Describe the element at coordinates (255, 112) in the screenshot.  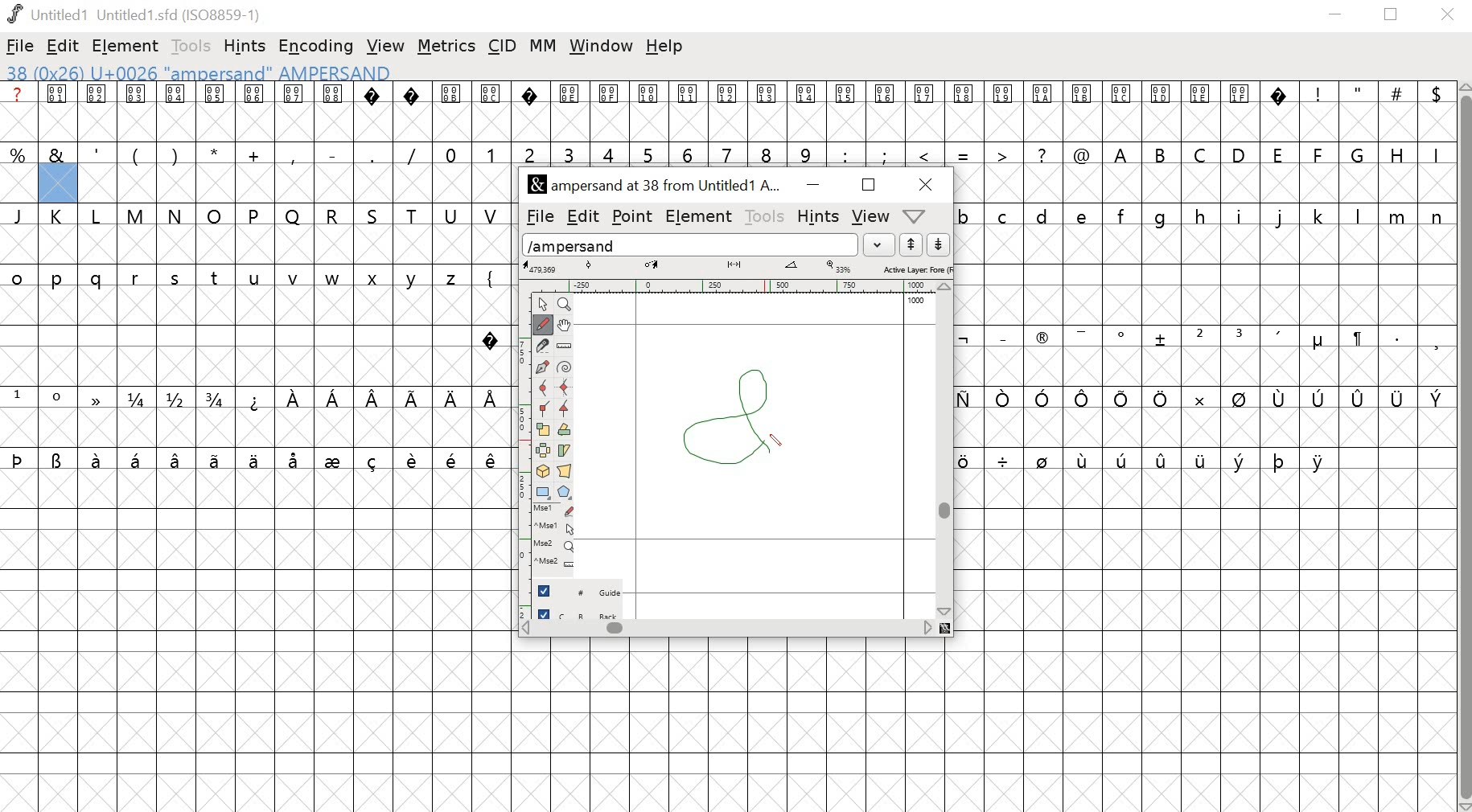
I see `0006` at that location.